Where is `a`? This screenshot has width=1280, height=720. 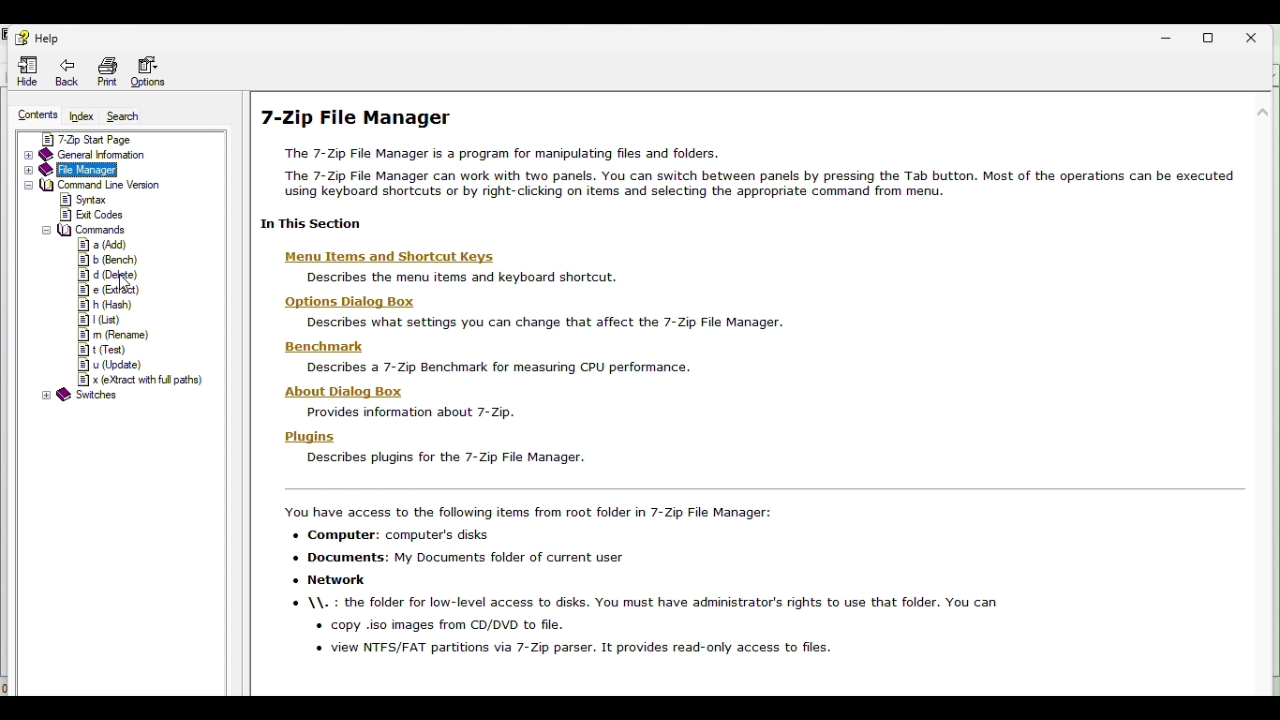
a is located at coordinates (111, 245).